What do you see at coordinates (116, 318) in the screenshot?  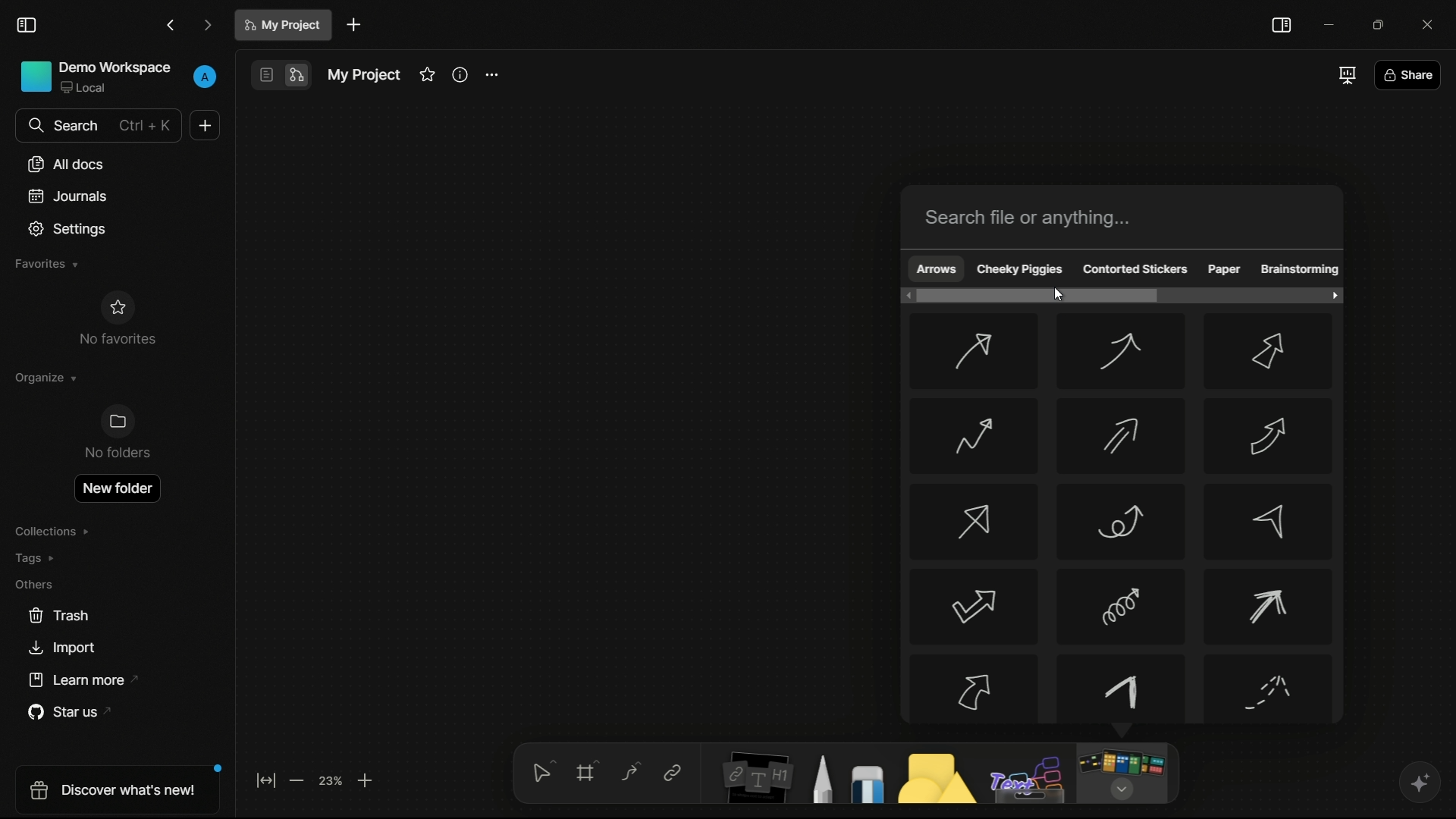 I see `no favorites` at bounding box center [116, 318].